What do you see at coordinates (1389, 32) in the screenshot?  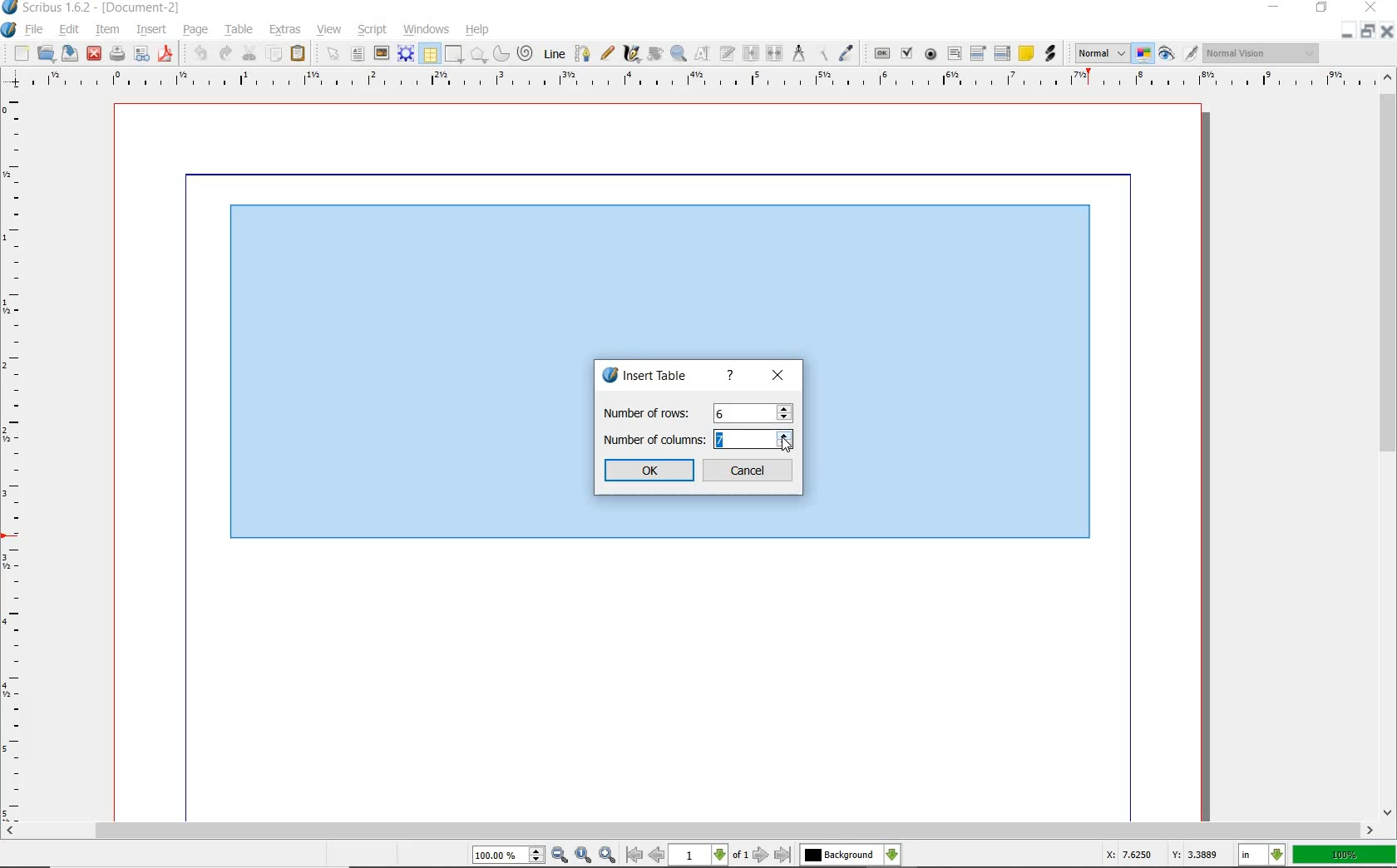 I see `close` at bounding box center [1389, 32].